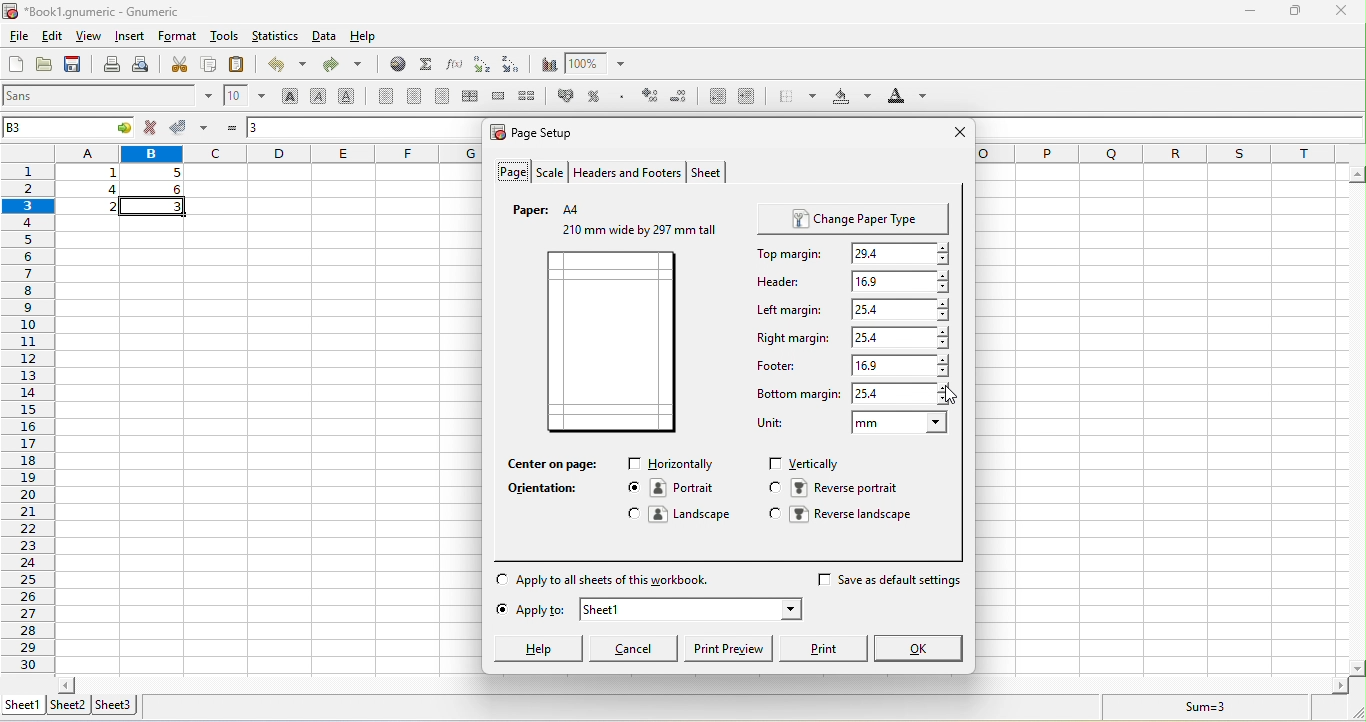  I want to click on copy, so click(210, 65).